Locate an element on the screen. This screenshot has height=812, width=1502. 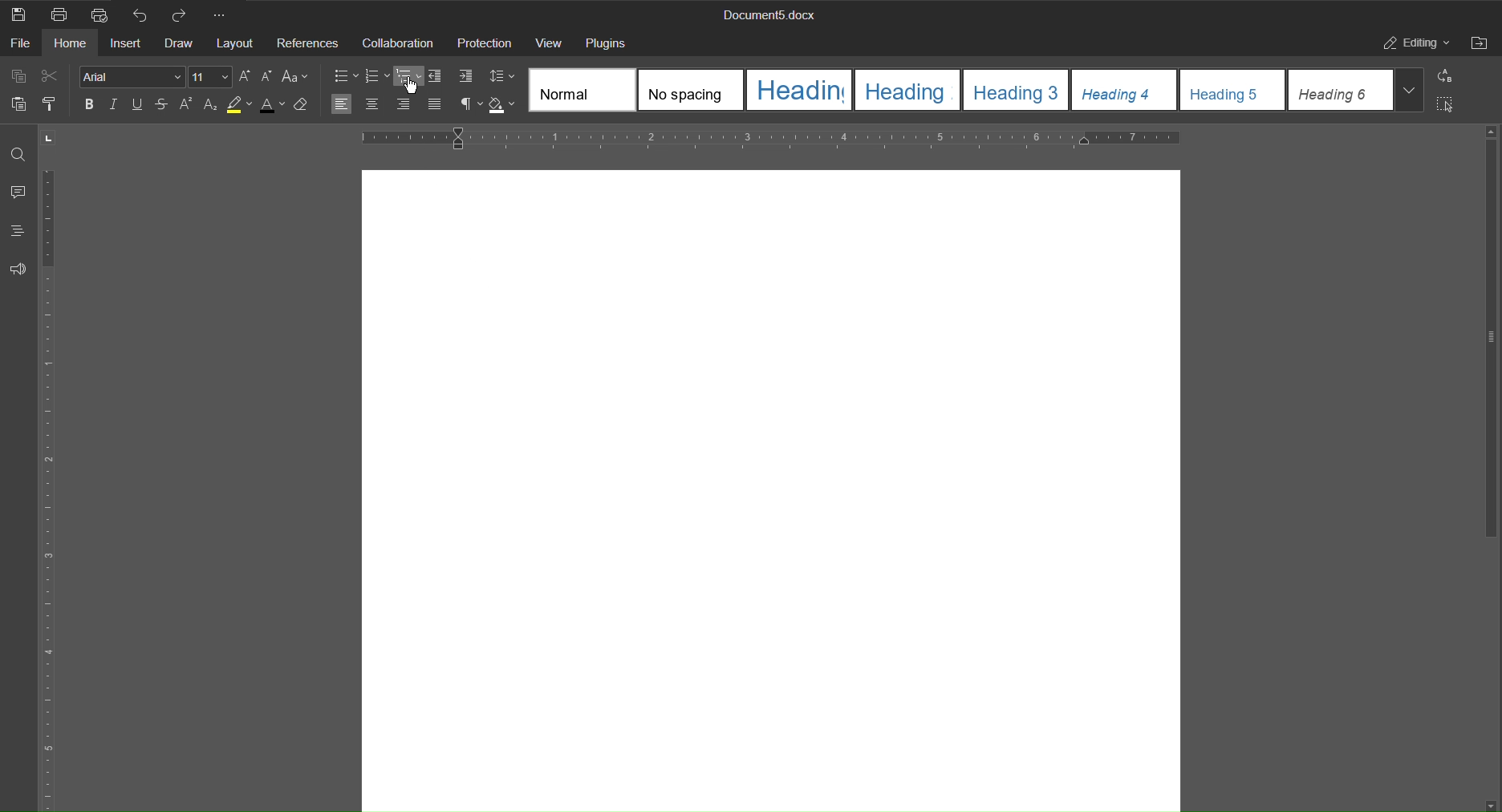
Redo is located at coordinates (184, 14).